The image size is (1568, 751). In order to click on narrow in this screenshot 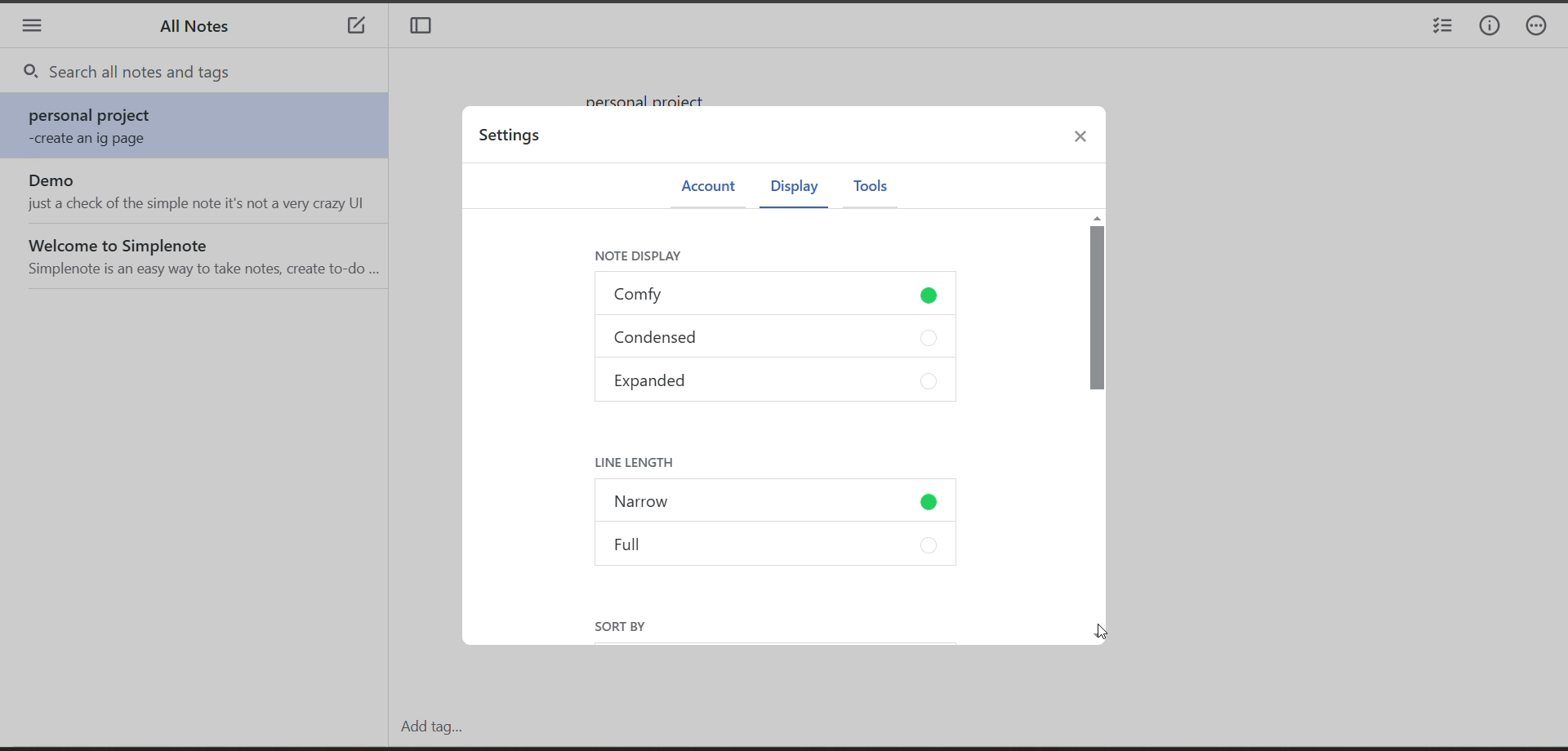, I will do `click(779, 504)`.